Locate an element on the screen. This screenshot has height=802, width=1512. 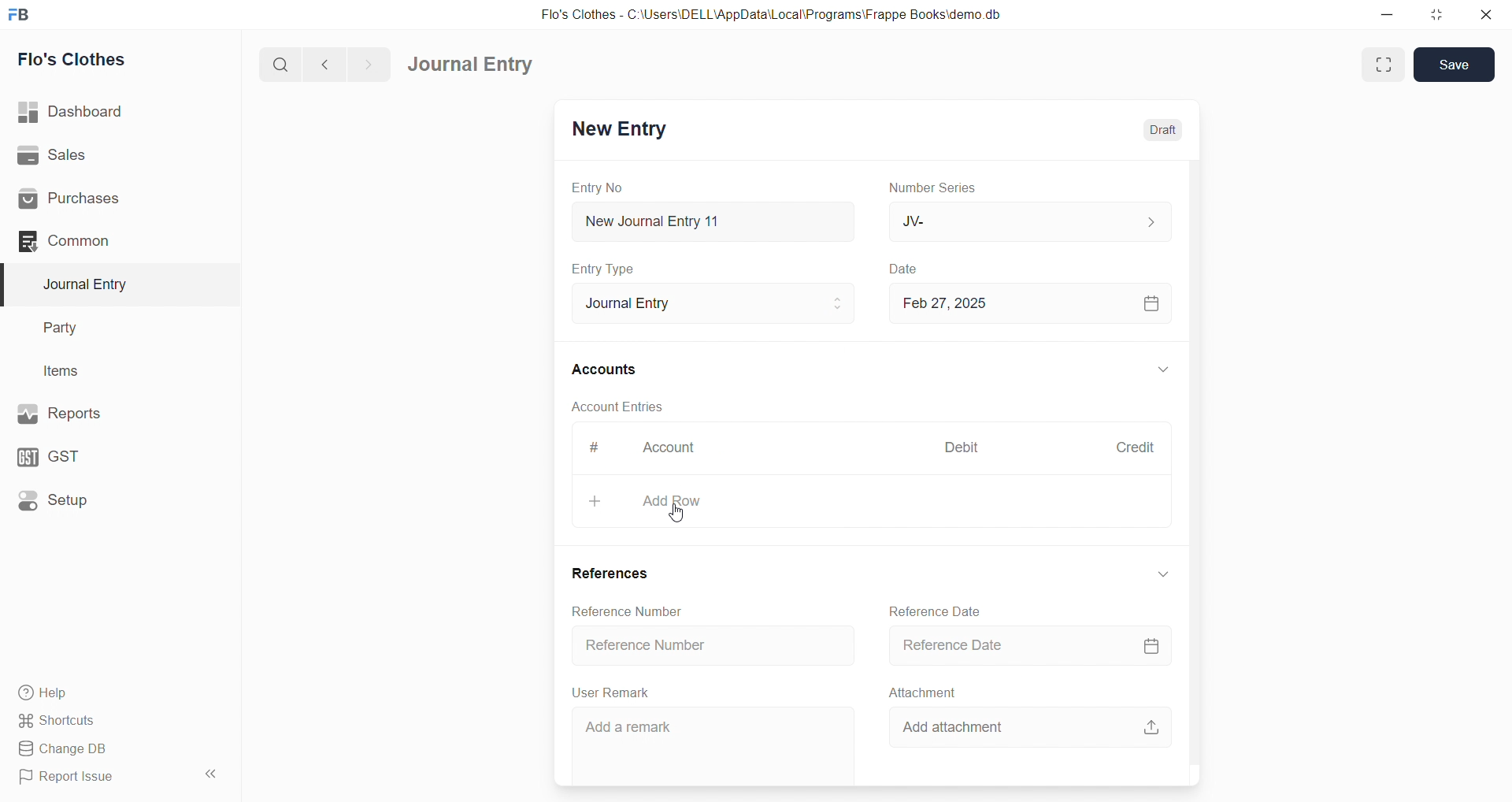
User Remark is located at coordinates (617, 693).